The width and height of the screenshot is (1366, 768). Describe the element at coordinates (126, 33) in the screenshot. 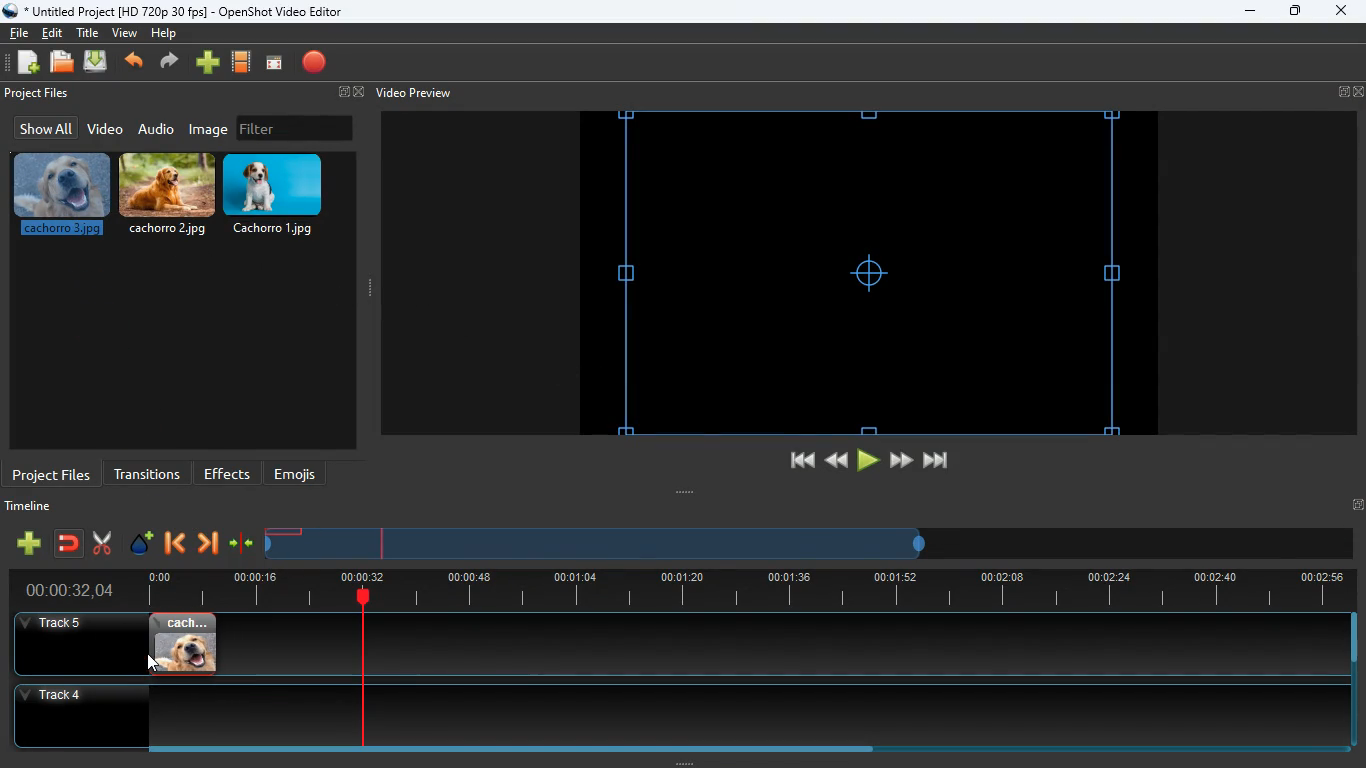

I see `view` at that location.